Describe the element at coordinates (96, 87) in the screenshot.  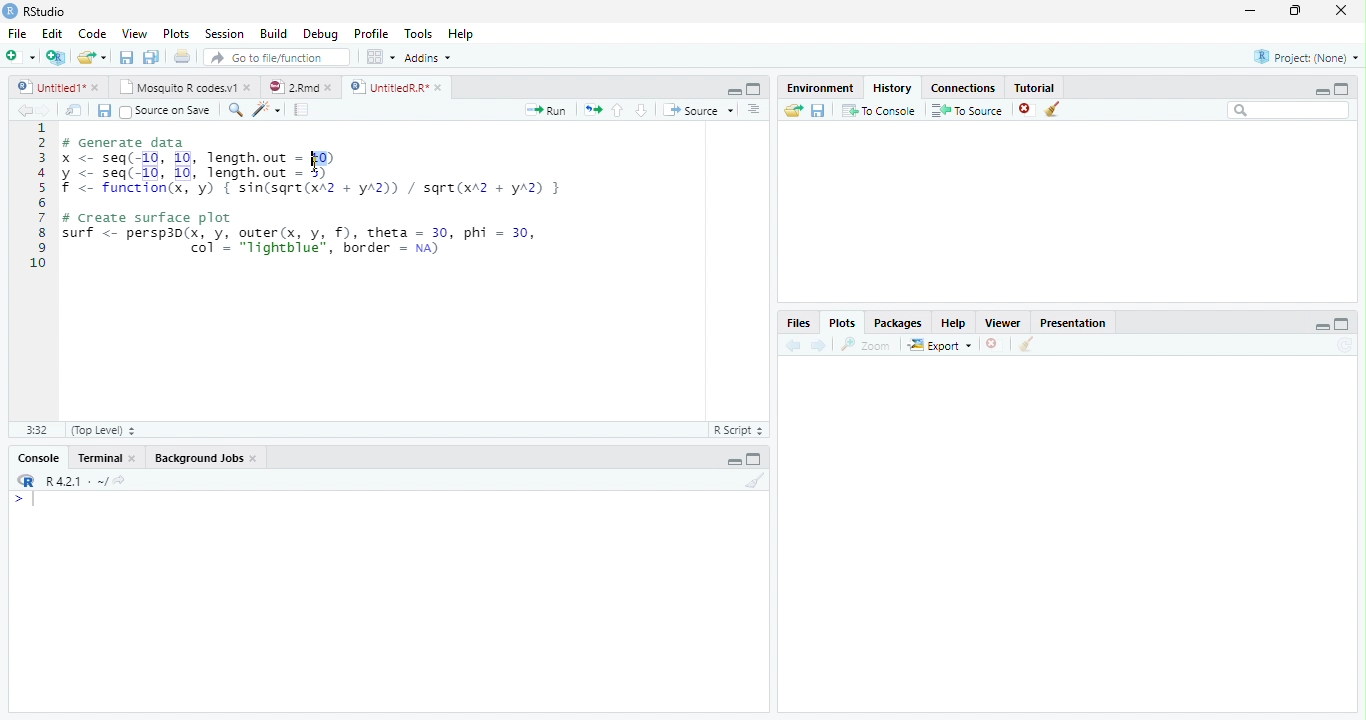
I see `close` at that location.